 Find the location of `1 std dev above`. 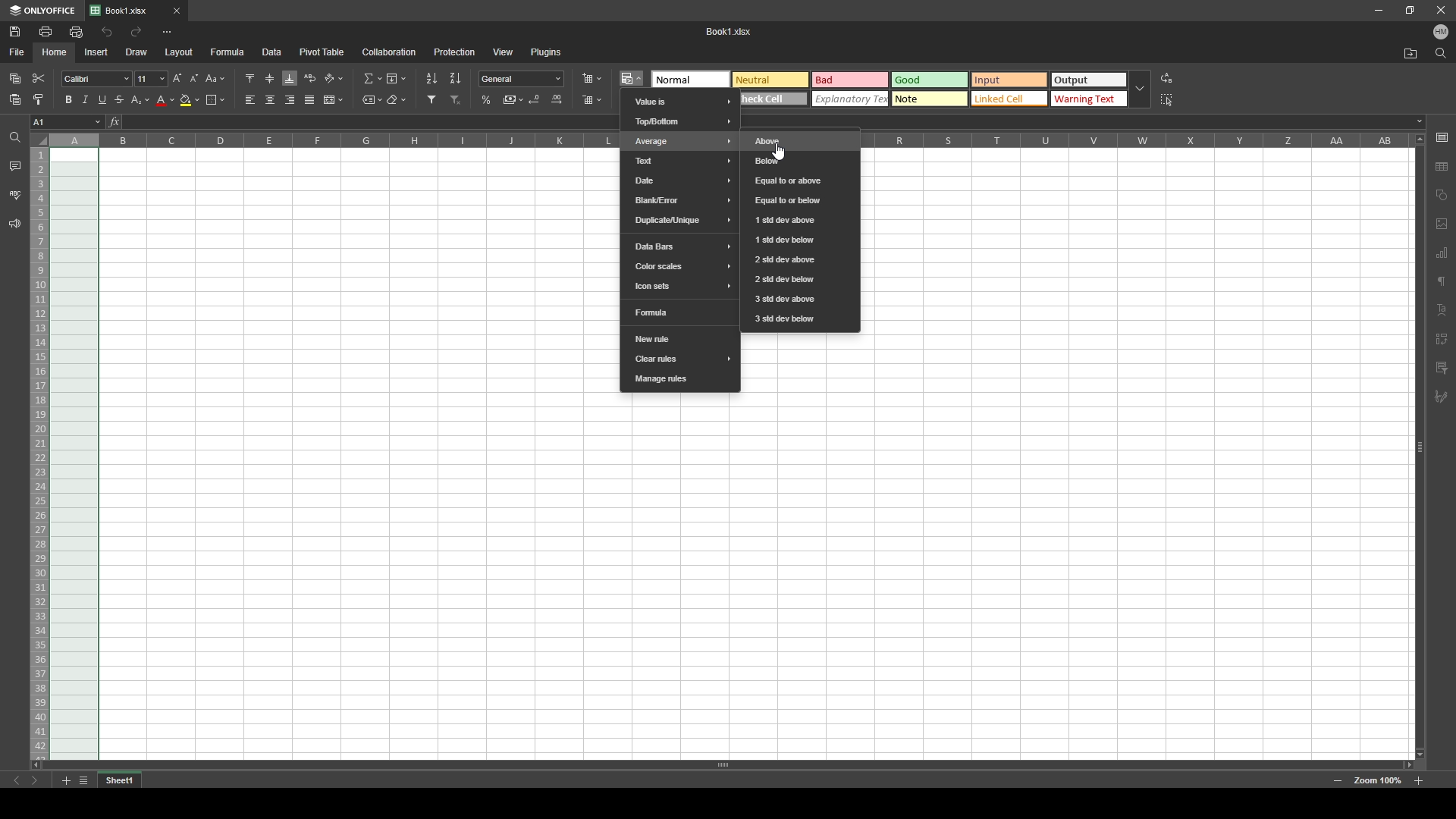

1 std dev above is located at coordinates (797, 221).